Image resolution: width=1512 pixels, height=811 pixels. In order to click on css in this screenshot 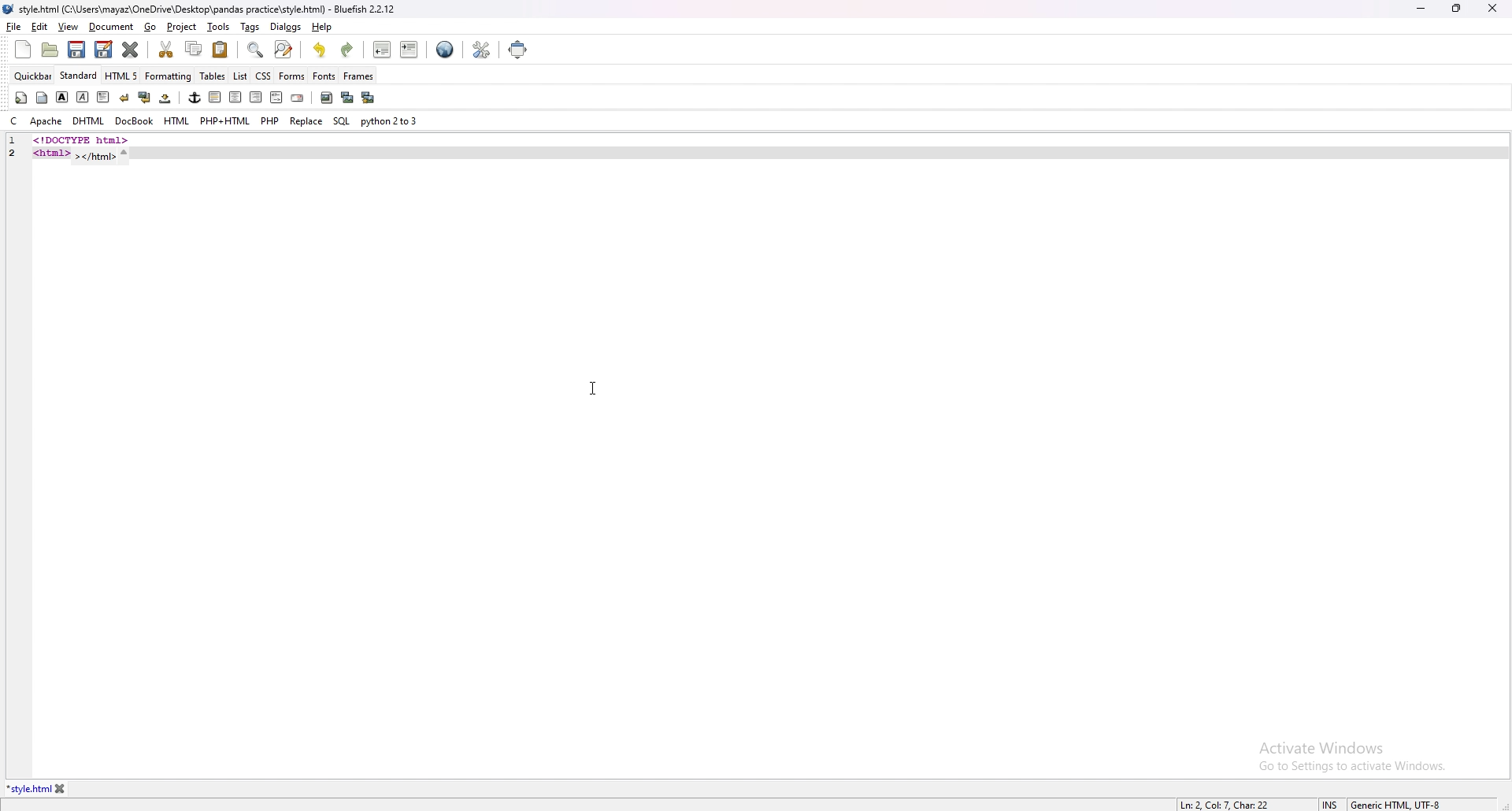, I will do `click(264, 75)`.